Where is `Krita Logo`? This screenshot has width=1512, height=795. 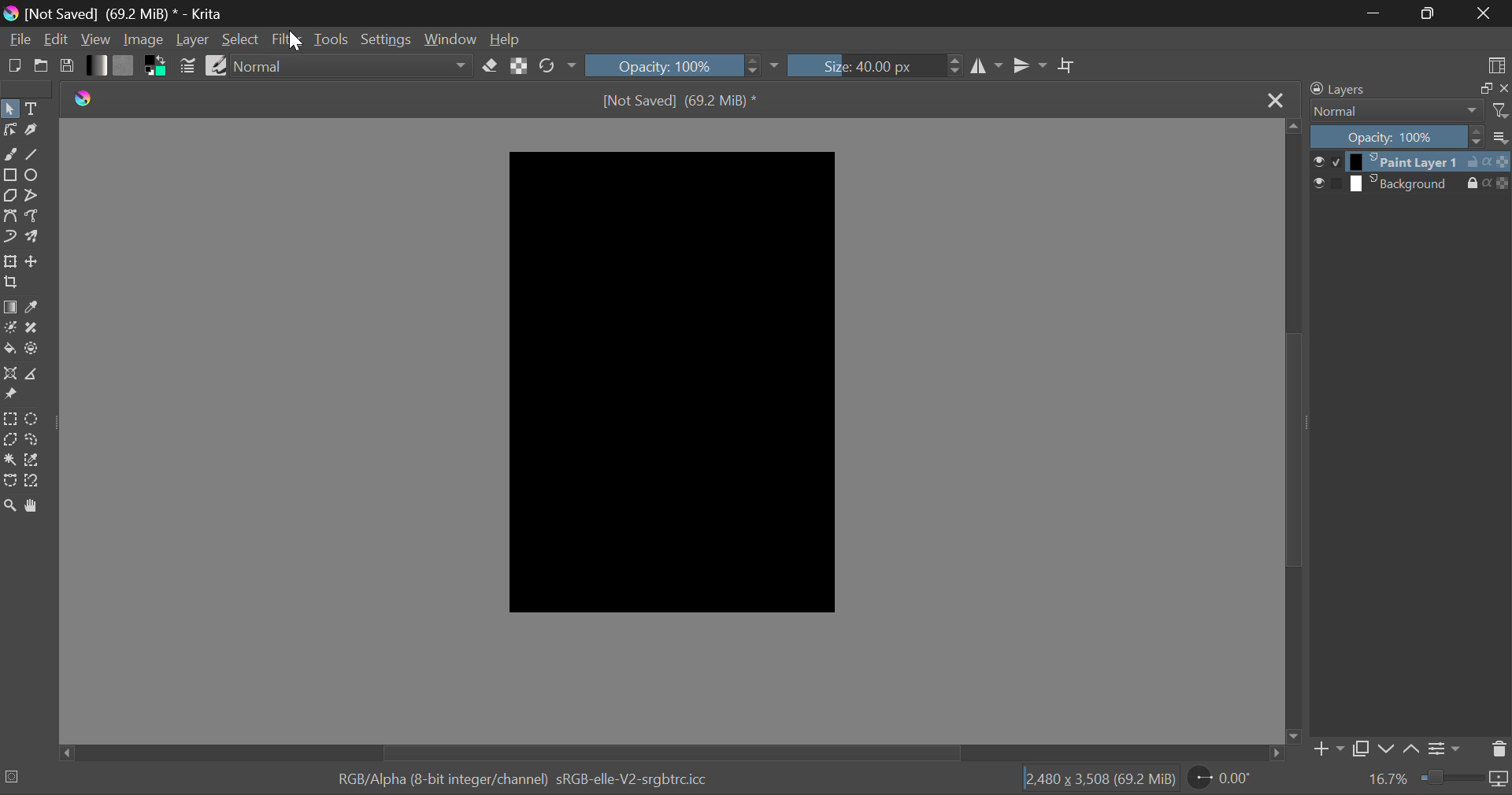 Krita Logo is located at coordinates (85, 97).